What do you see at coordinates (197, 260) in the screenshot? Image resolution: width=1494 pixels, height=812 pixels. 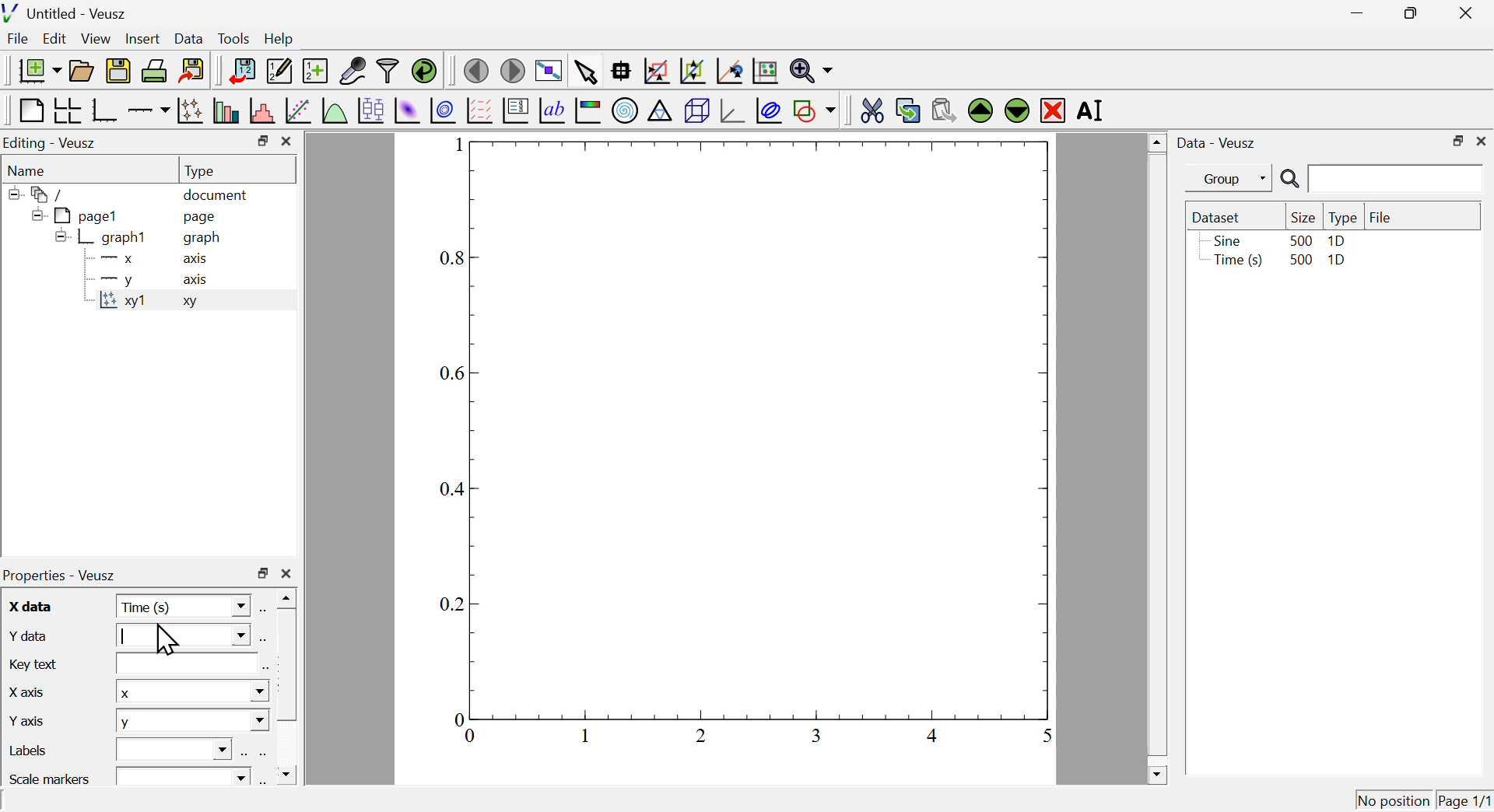 I see `axis` at bounding box center [197, 260].